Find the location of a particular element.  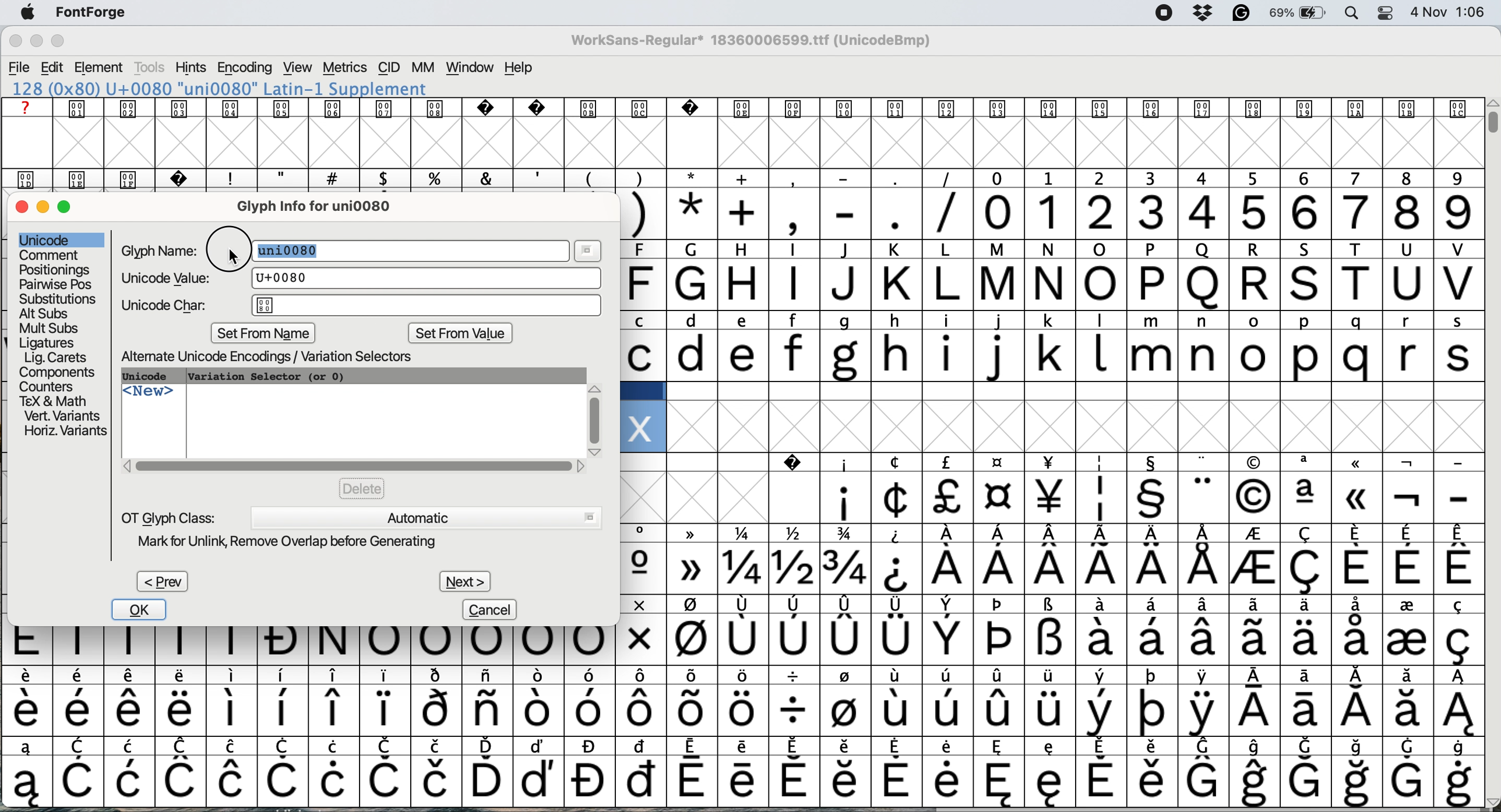

counters is located at coordinates (50, 385).